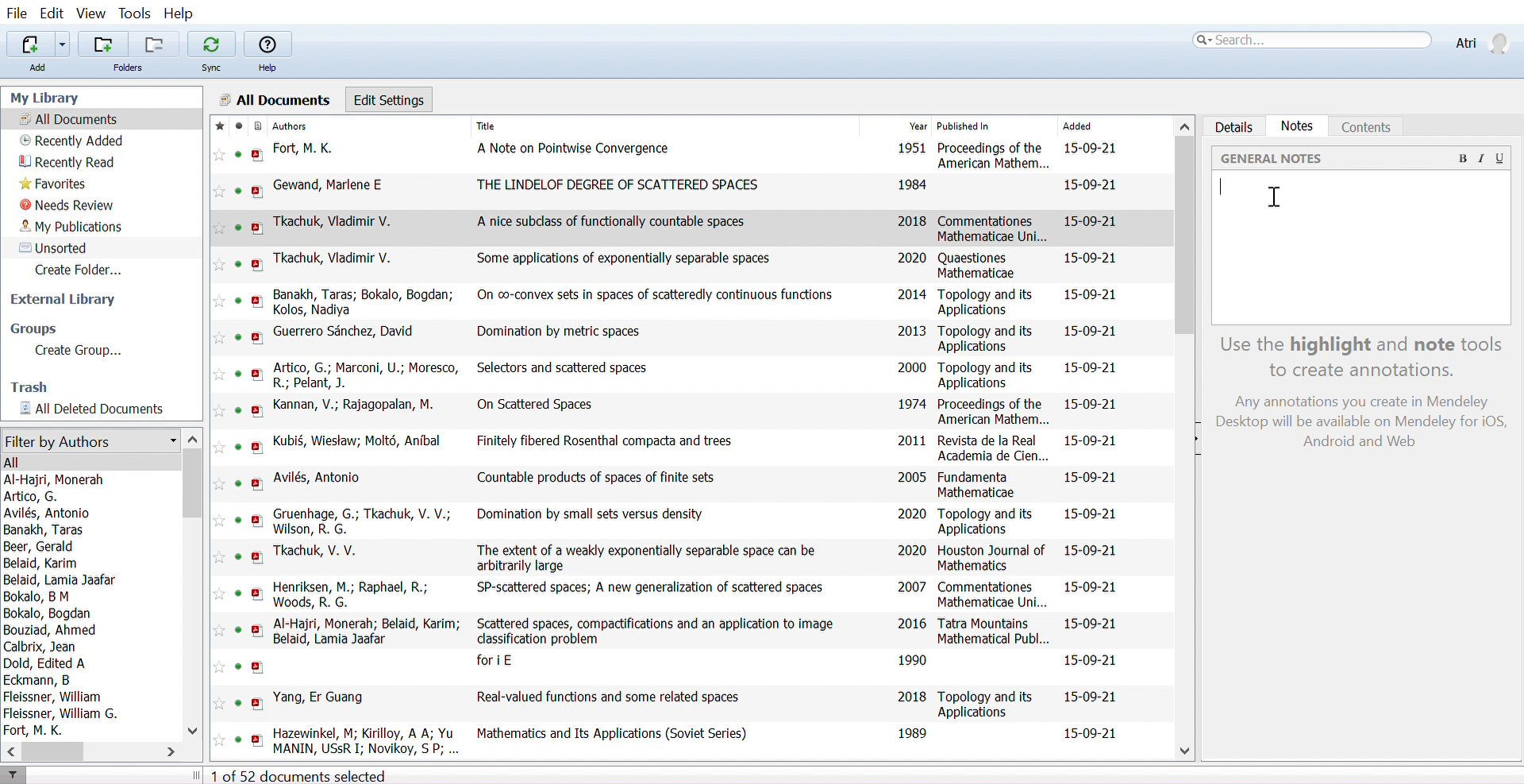 The width and height of the screenshot is (1524, 784). I want to click on Add this reference to favorites, so click(220, 228).